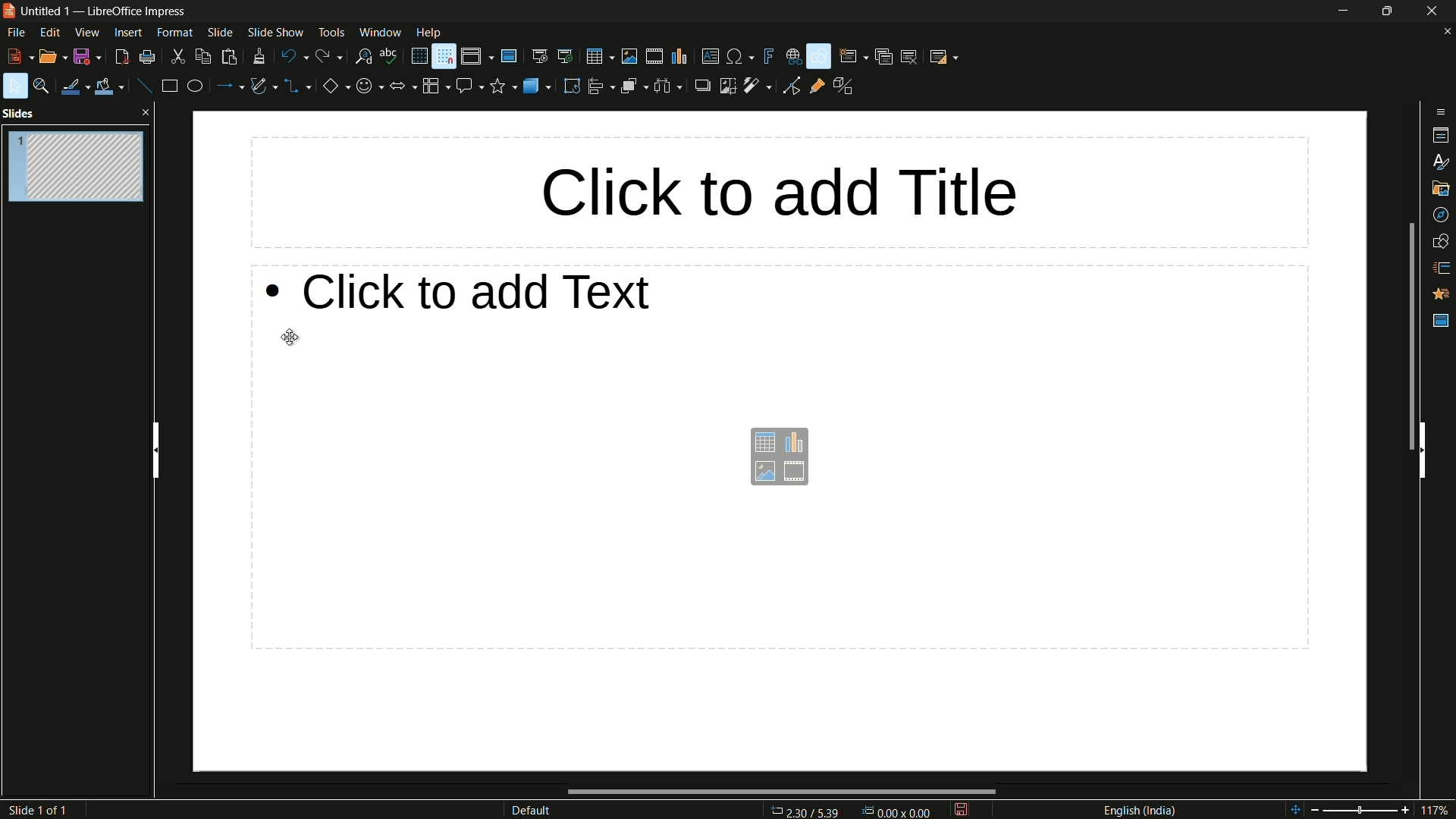  Describe the element at coordinates (220, 33) in the screenshot. I see `slide menu` at that location.